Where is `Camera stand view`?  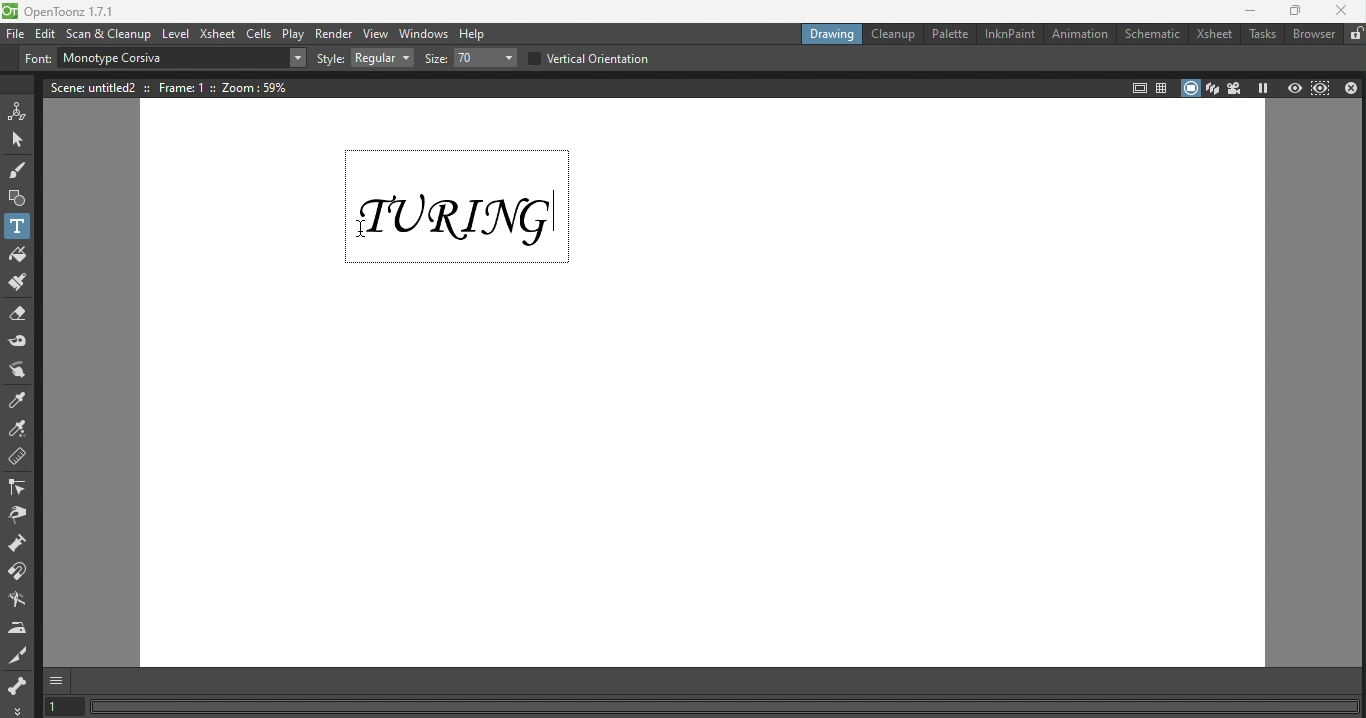 Camera stand view is located at coordinates (1188, 88).